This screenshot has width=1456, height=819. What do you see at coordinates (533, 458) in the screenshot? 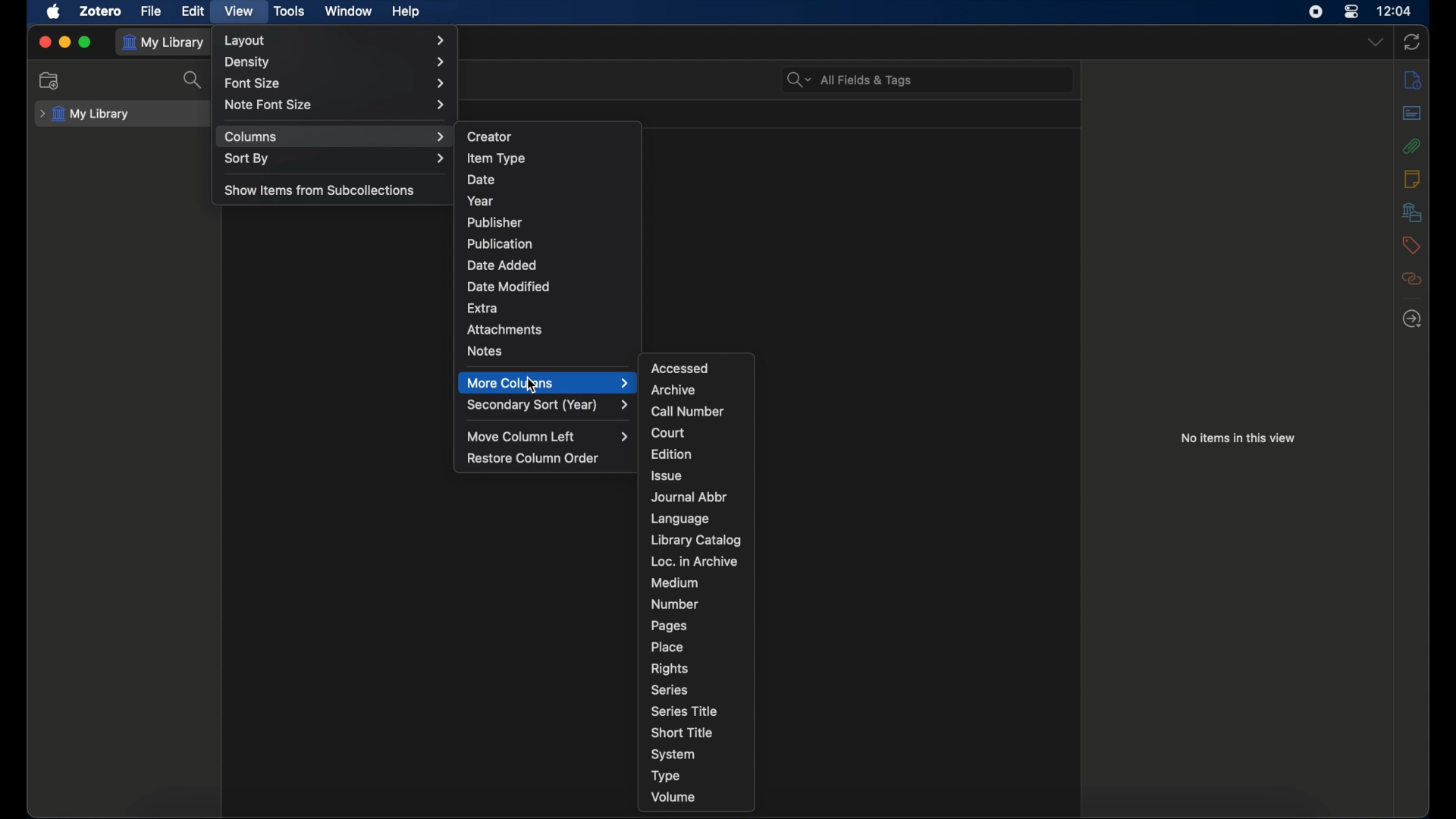
I see `restore column order` at bounding box center [533, 458].